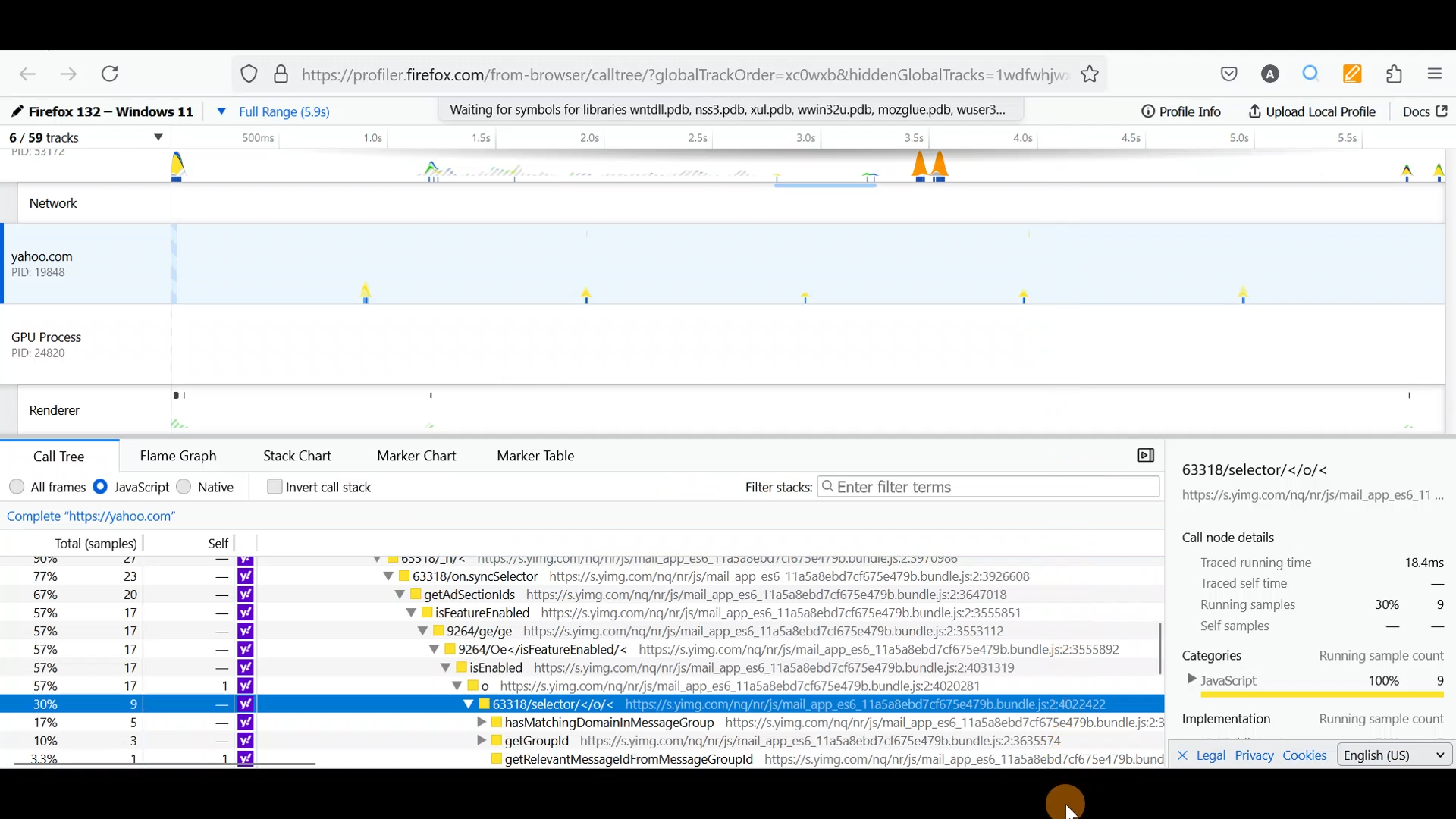 This screenshot has height=819, width=1456. Describe the element at coordinates (419, 453) in the screenshot. I see `Marker Chart` at that location.